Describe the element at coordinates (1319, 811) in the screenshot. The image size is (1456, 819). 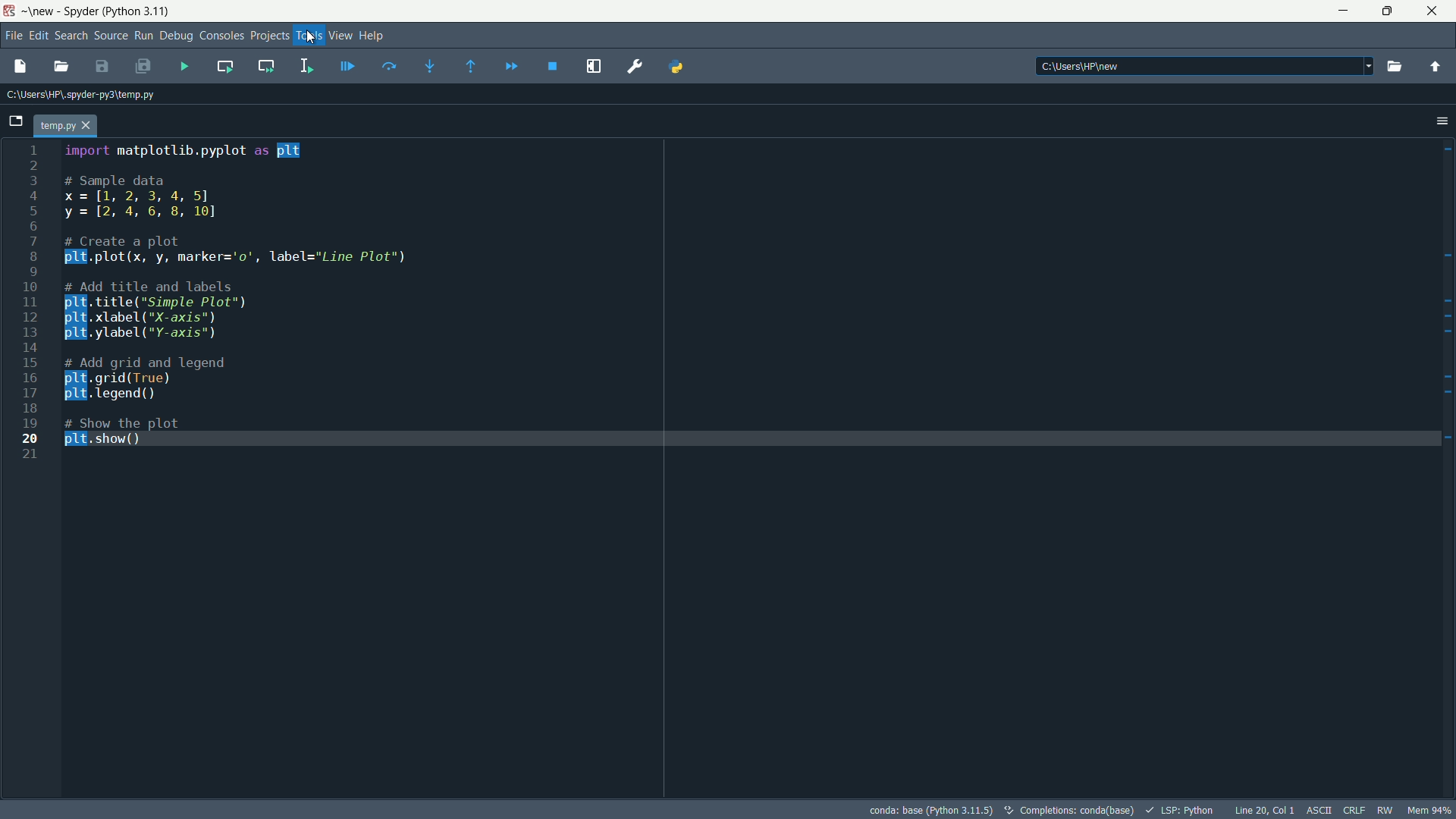
I see `file encoding` at that location.